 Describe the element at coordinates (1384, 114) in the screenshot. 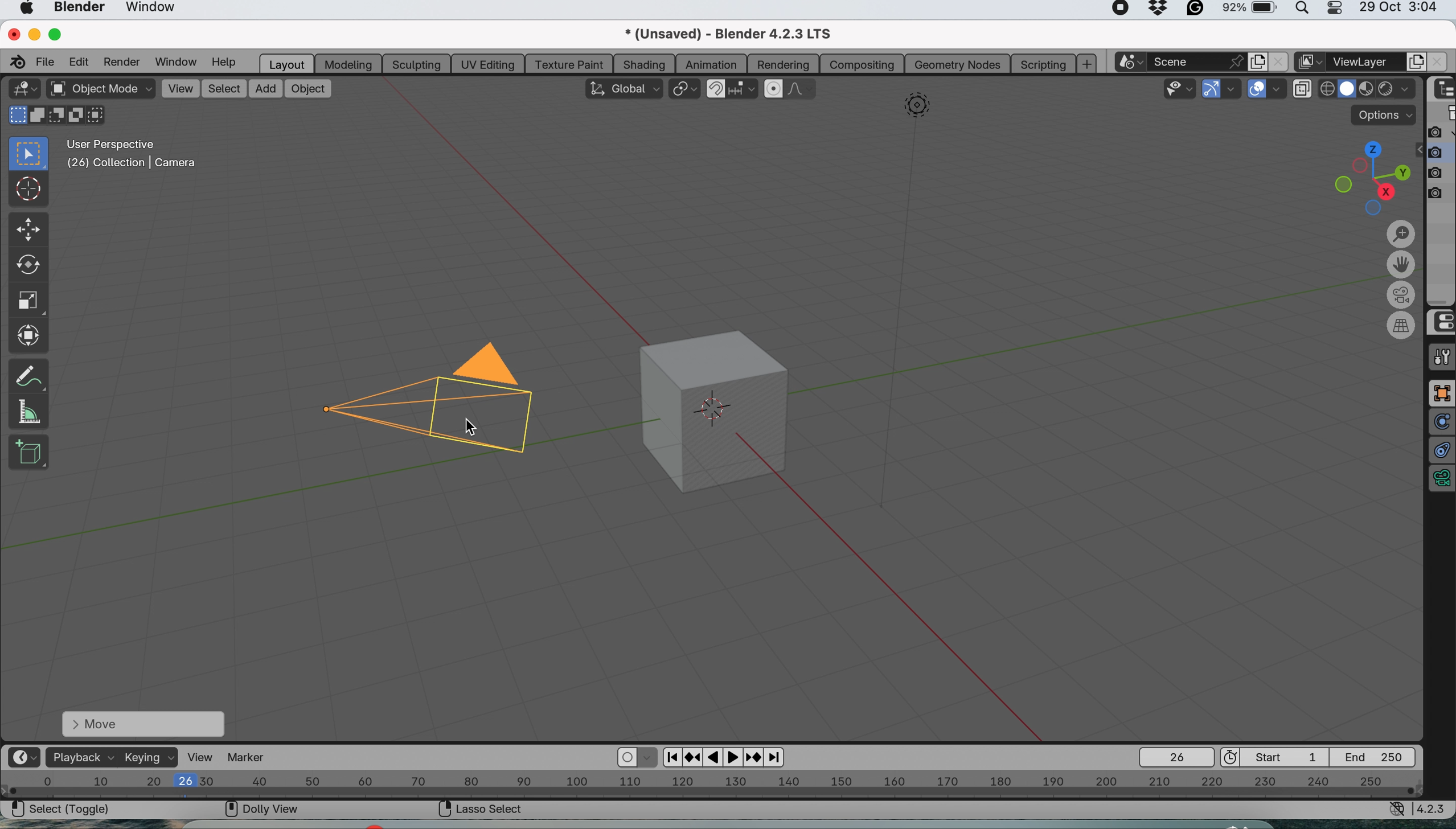

I see `options` at that location.